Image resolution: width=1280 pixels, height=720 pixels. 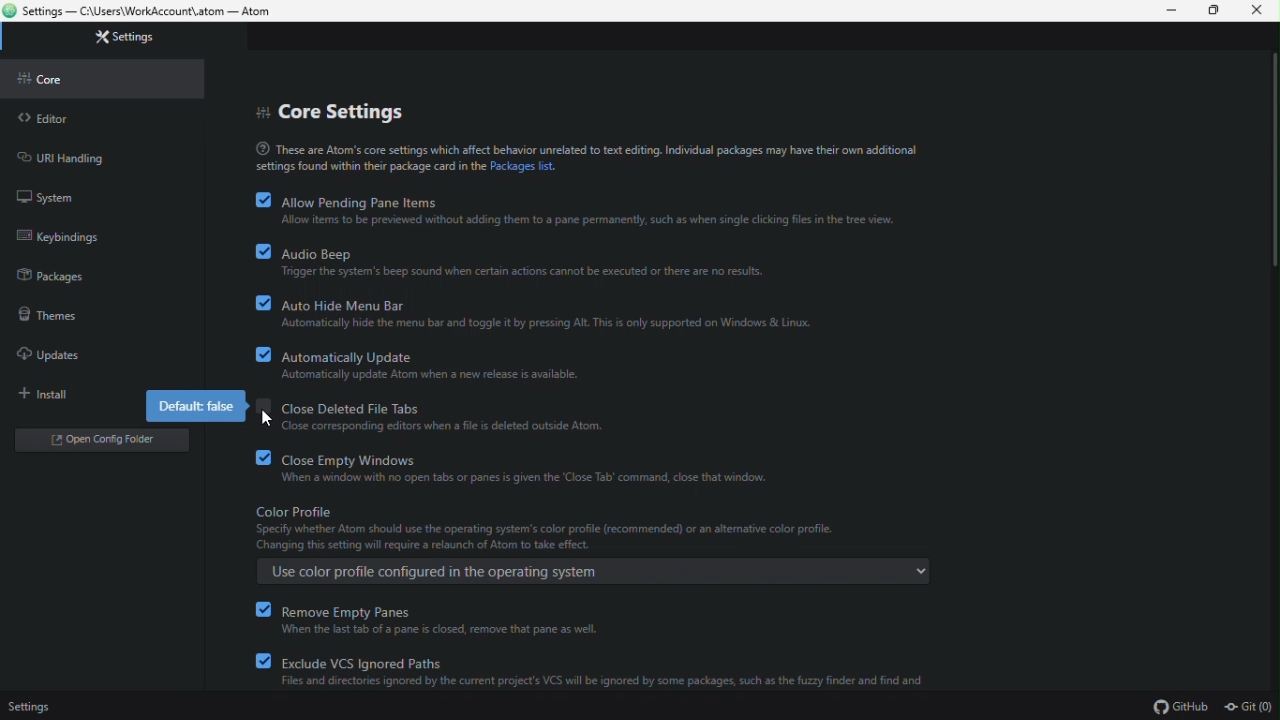 I want to click on checkbox, so click(x=266, y=409).